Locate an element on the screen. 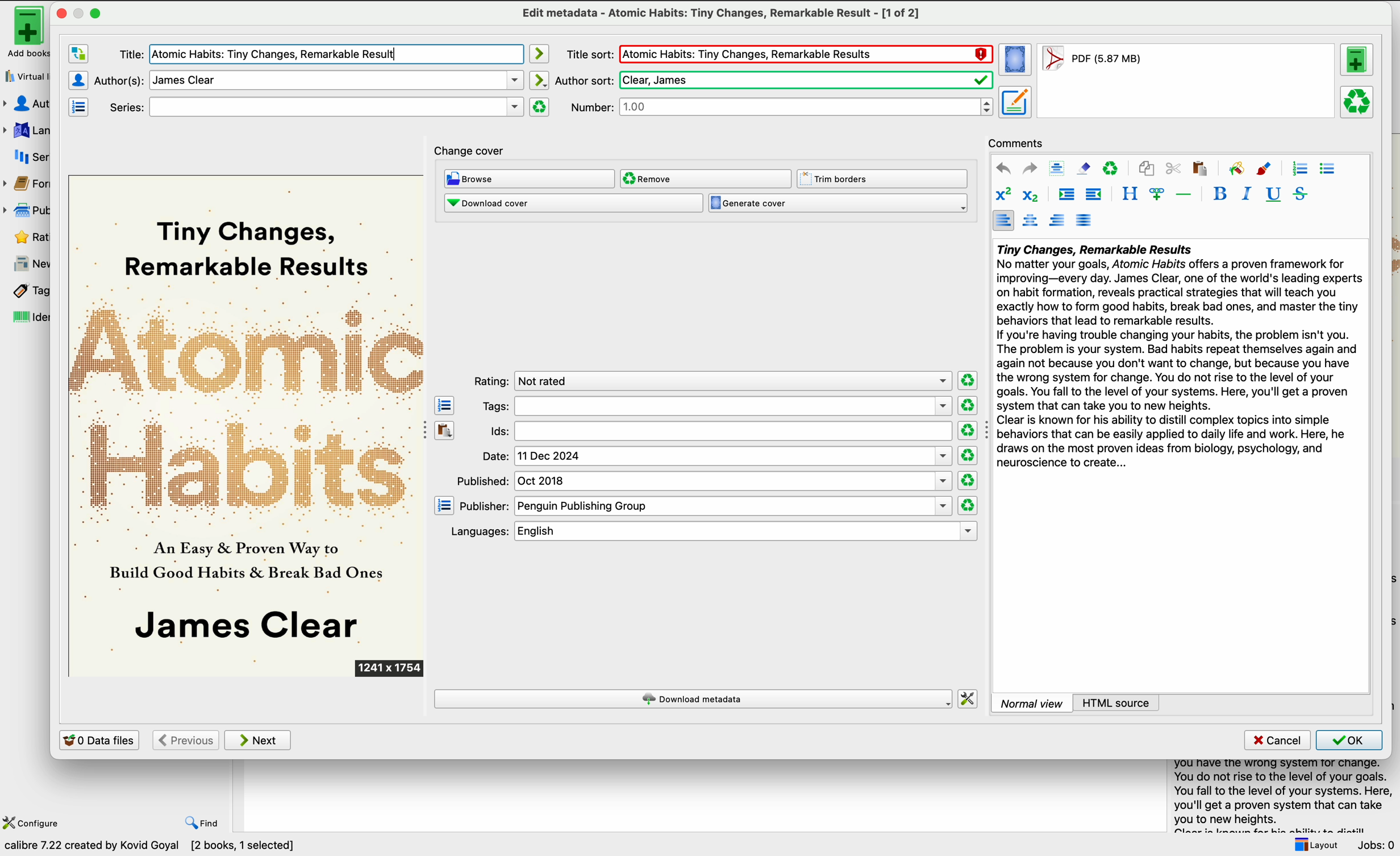  summary is located at coordinates (1178, 359).